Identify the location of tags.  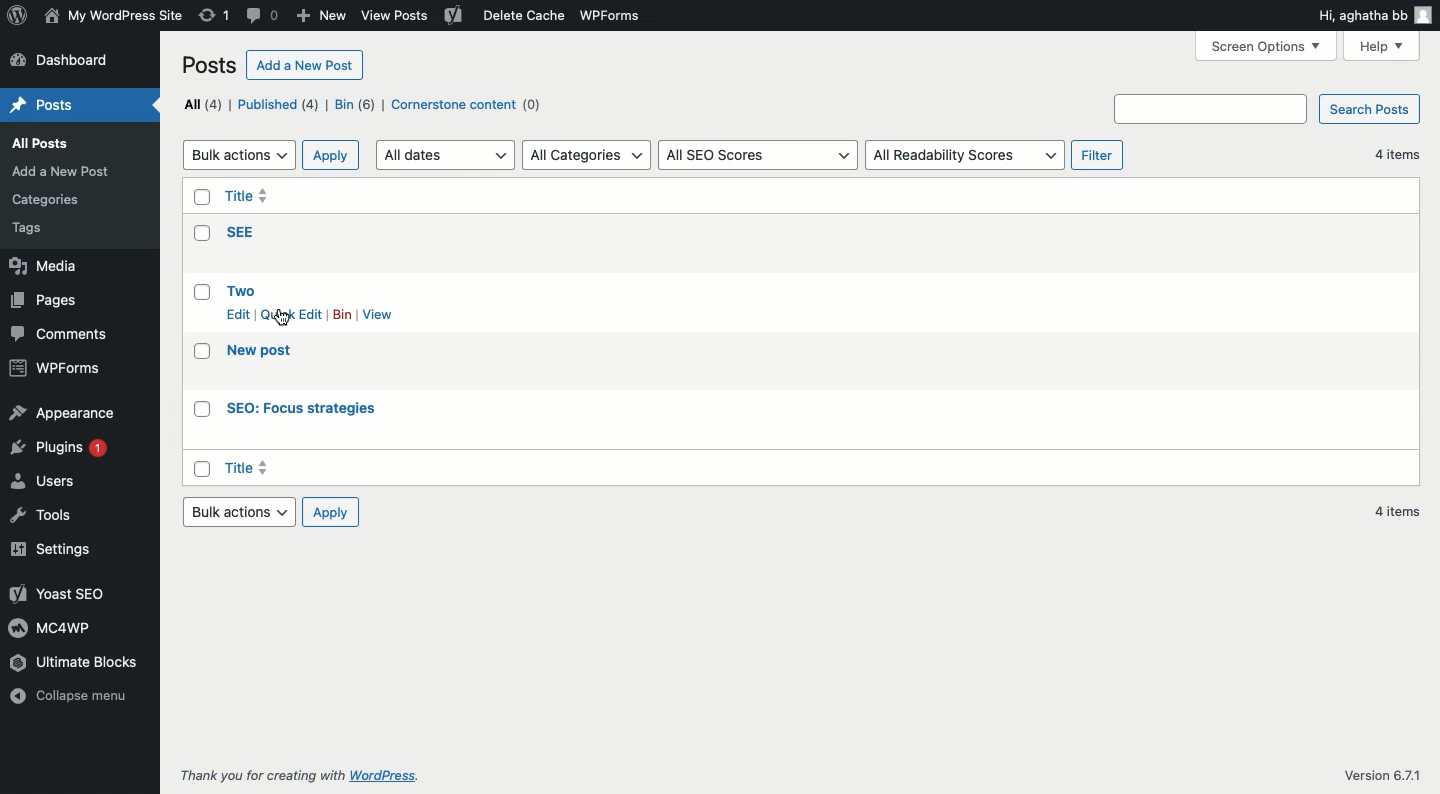
(40, 230).